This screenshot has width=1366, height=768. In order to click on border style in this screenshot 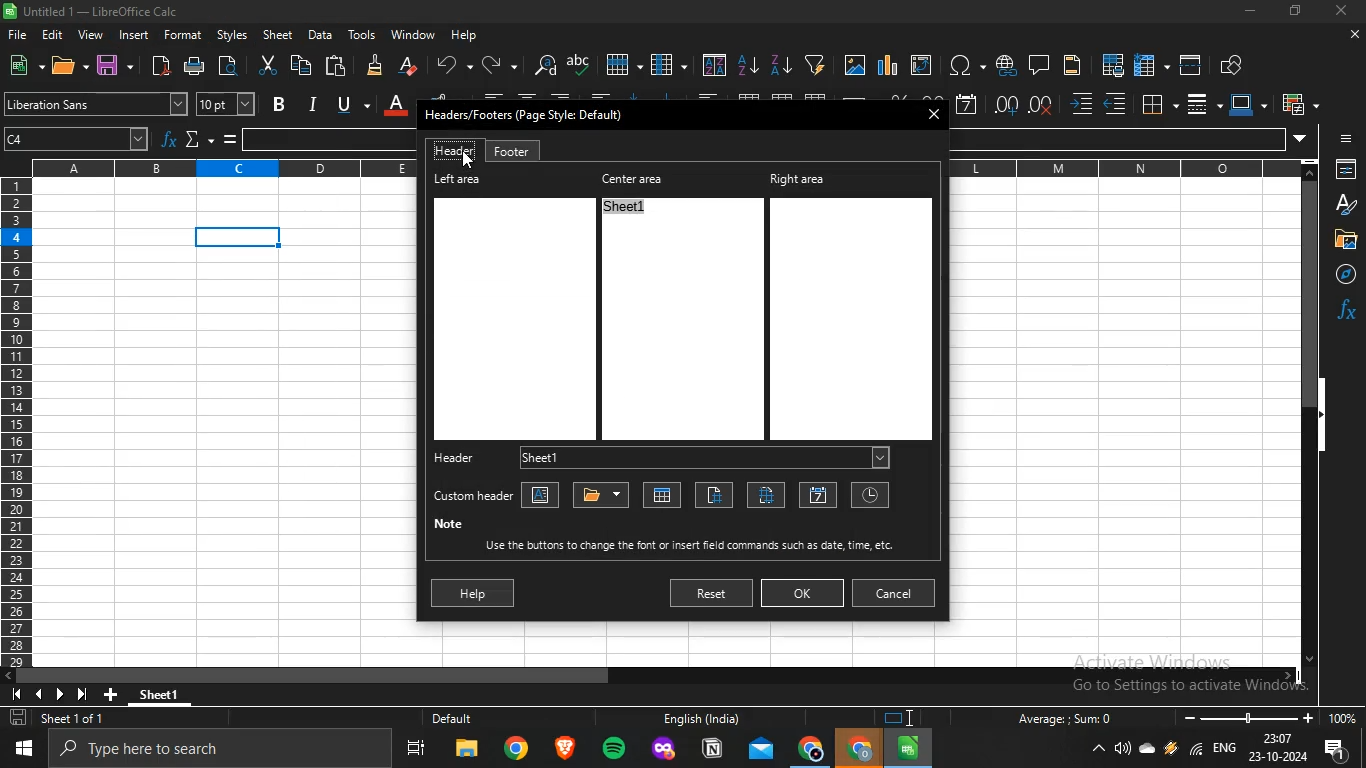, I will do `click(1197, 104)`.